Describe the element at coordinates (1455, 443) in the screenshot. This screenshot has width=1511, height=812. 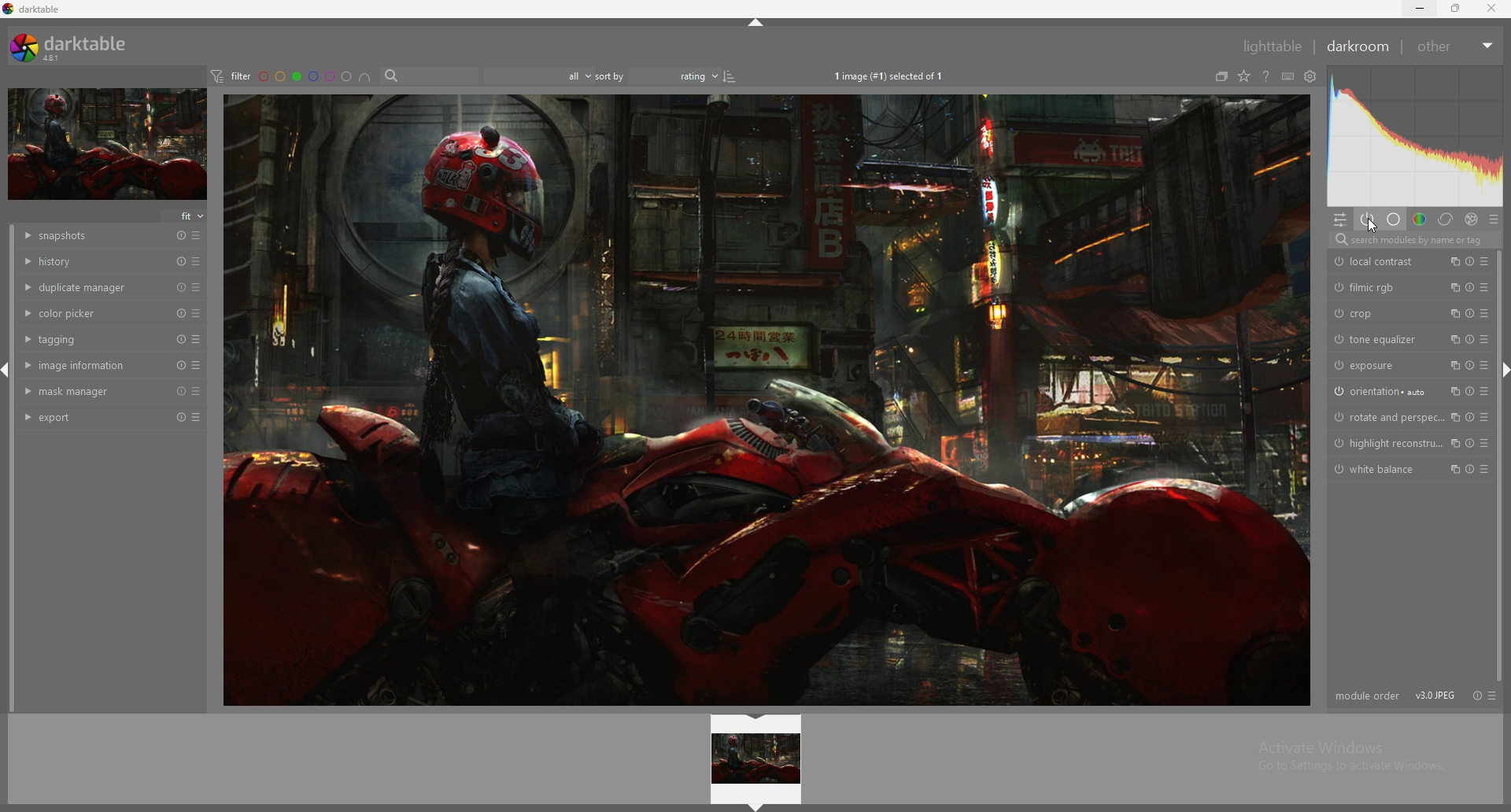
I see `multiple instances action` at that location.